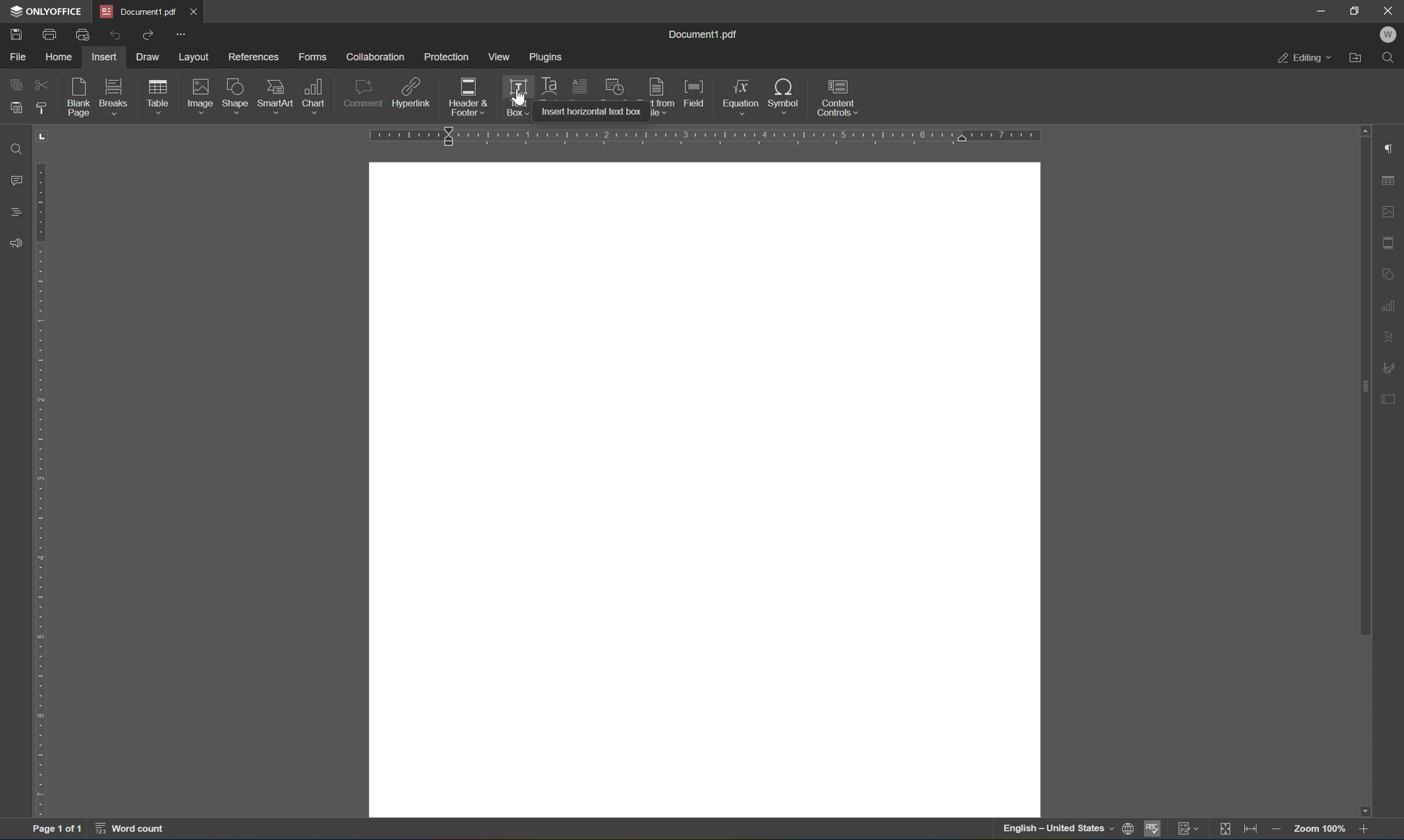 This screenshot has width=1404, height=840. I want to click on text box with active cursor, so click(515, 97).